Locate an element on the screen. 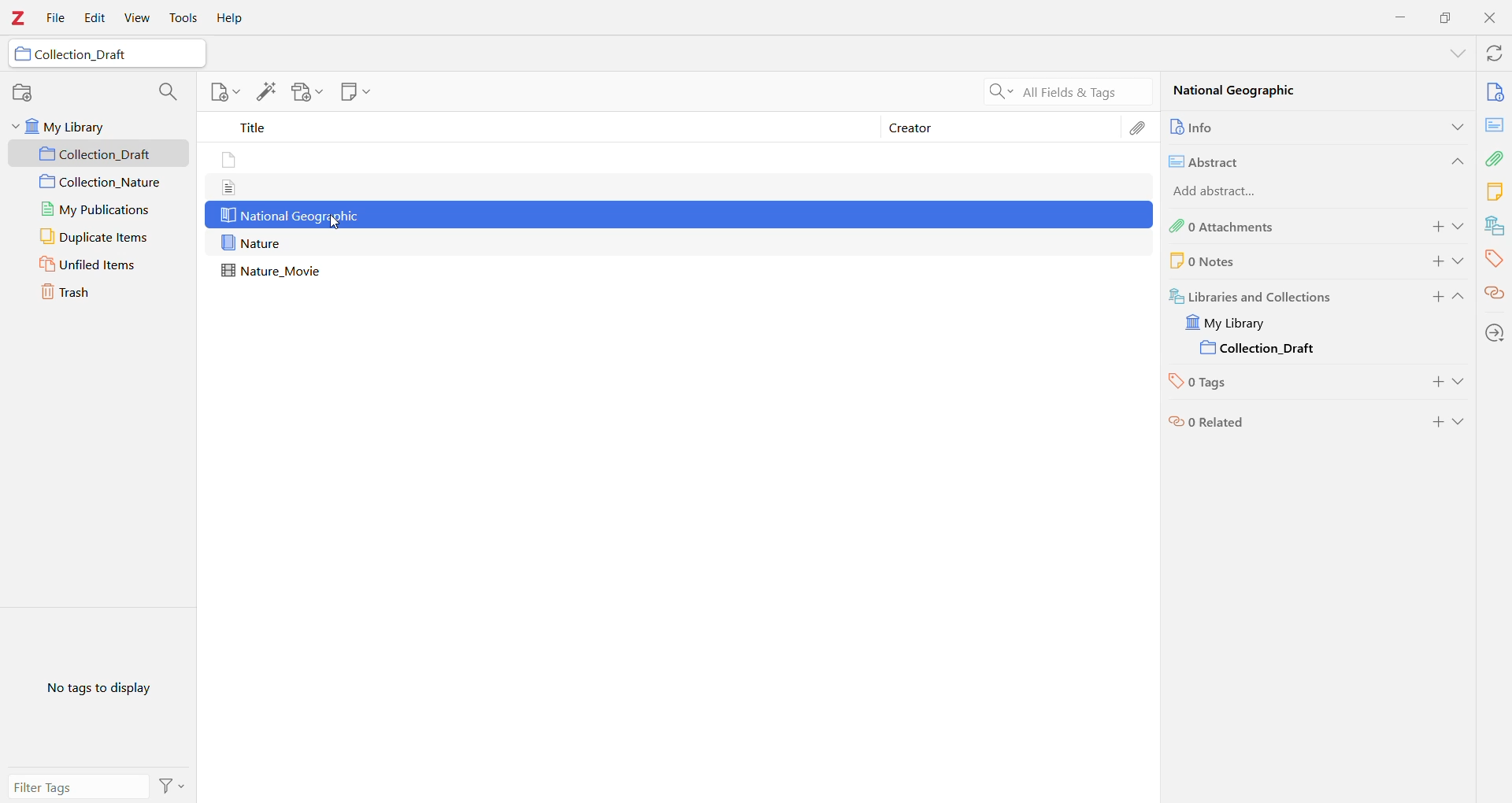 The image size is (1512, 803). Add is located at coordinates (1433, 228).